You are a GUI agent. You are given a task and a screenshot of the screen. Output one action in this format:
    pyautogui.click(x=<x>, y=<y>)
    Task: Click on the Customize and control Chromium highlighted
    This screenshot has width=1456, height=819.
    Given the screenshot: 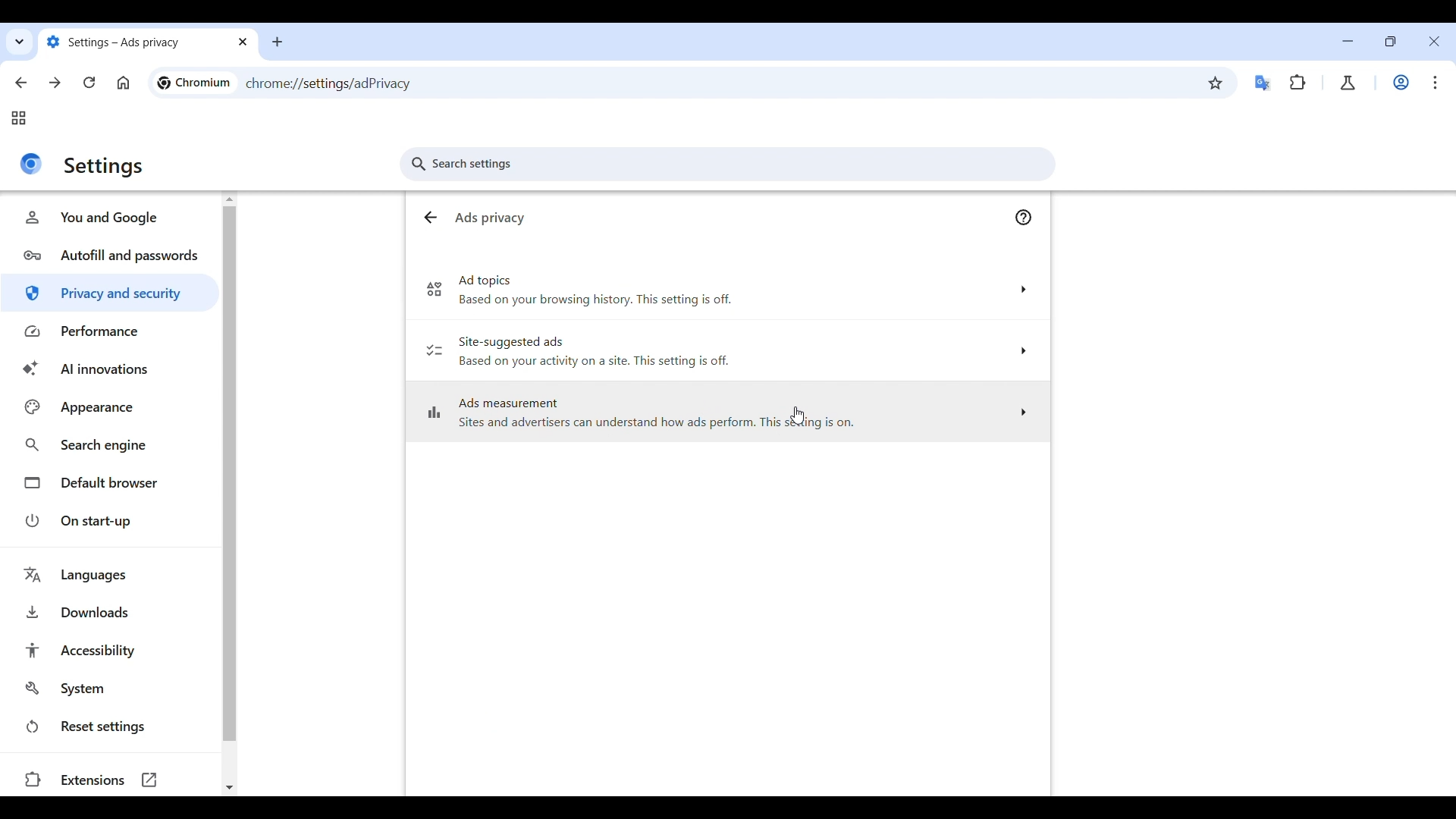 What is the action you would take?
    pyautogui.click(x=1436, y=83)
    